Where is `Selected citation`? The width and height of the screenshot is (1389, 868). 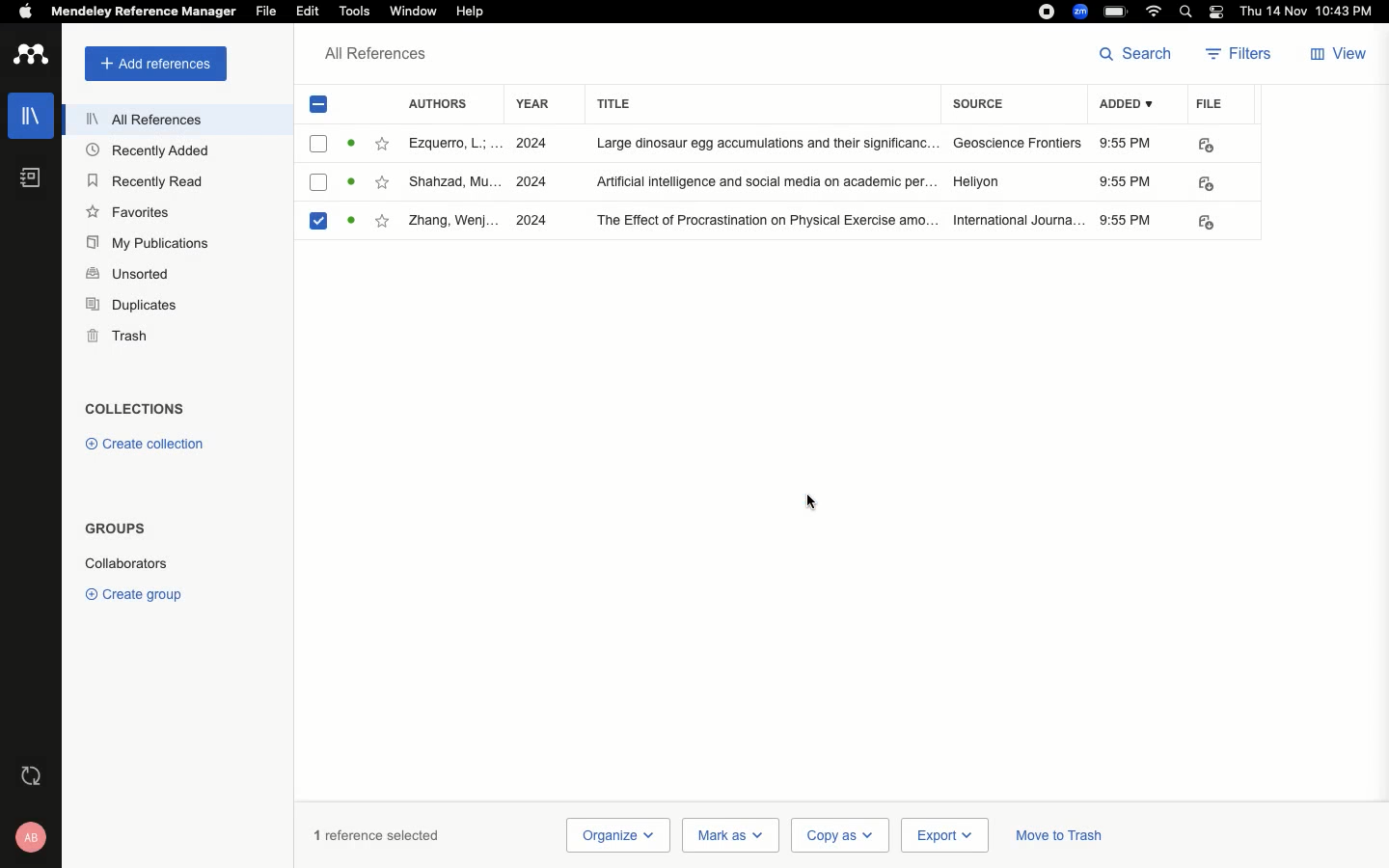
Selected citation is located at coordinates (322, 227).